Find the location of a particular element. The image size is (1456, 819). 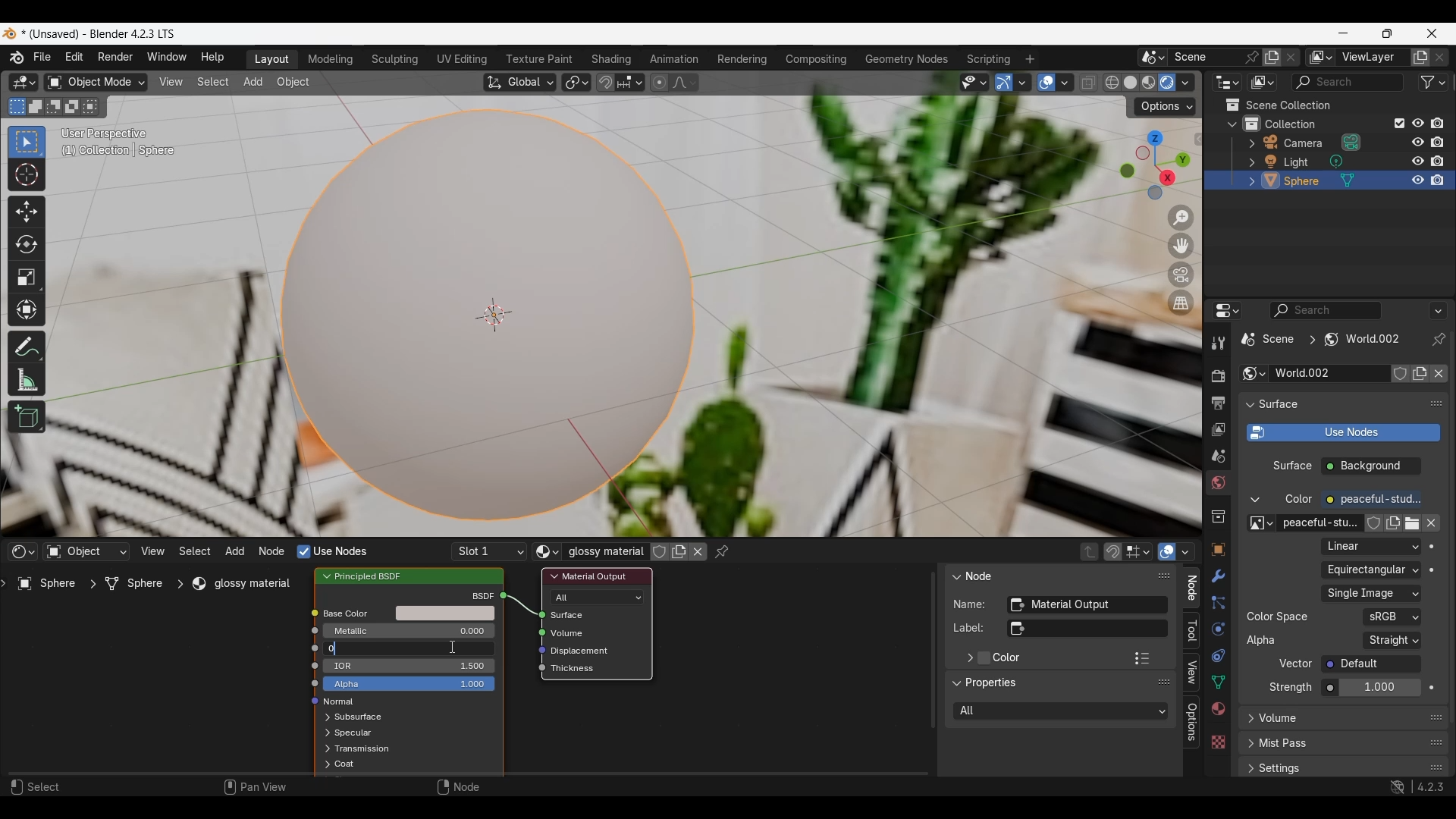

Disable all respective renders is located at coordinates (1442, 123).